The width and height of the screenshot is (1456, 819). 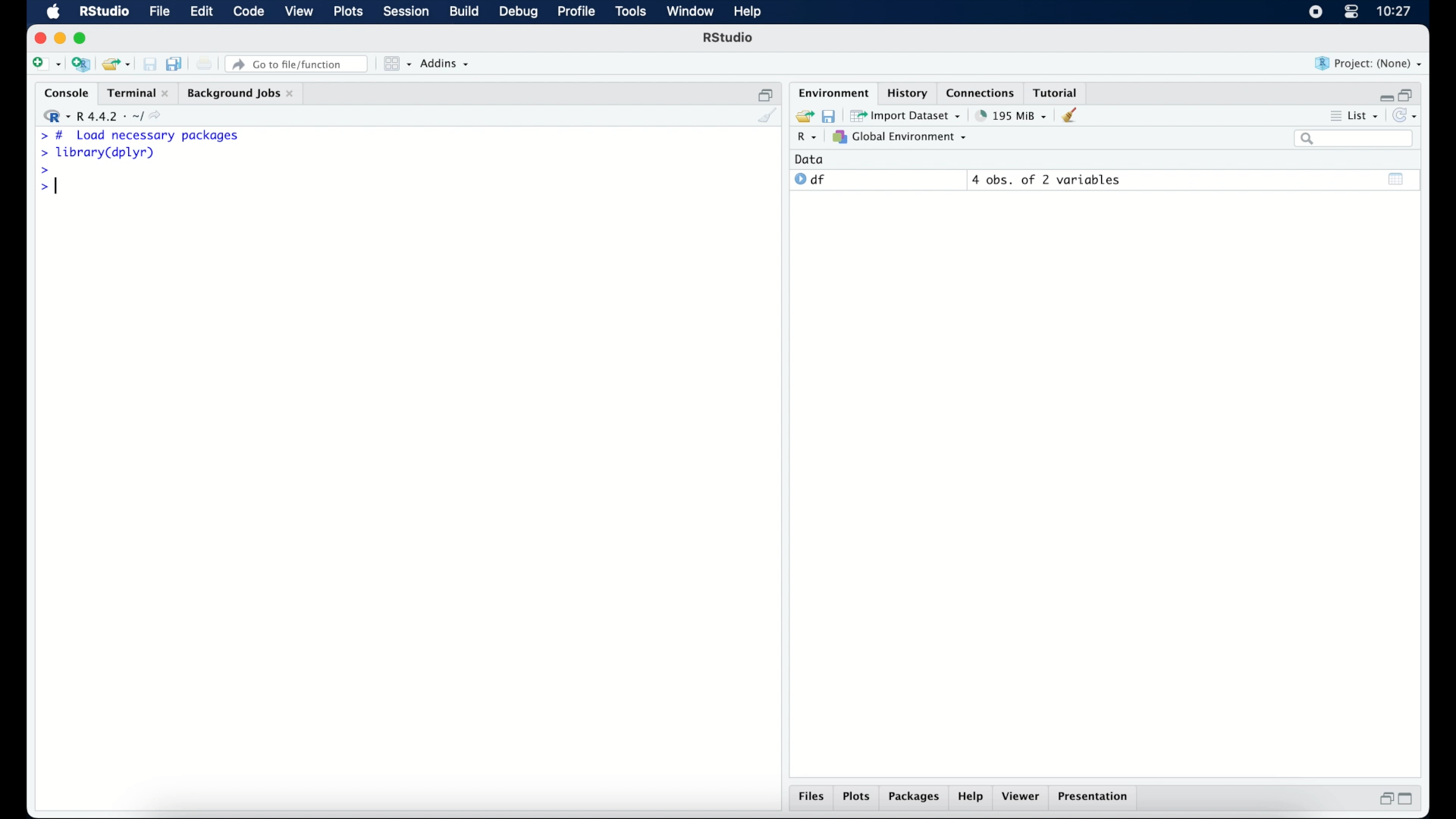 I want to click on command prompt, so click(x=44, y=189).